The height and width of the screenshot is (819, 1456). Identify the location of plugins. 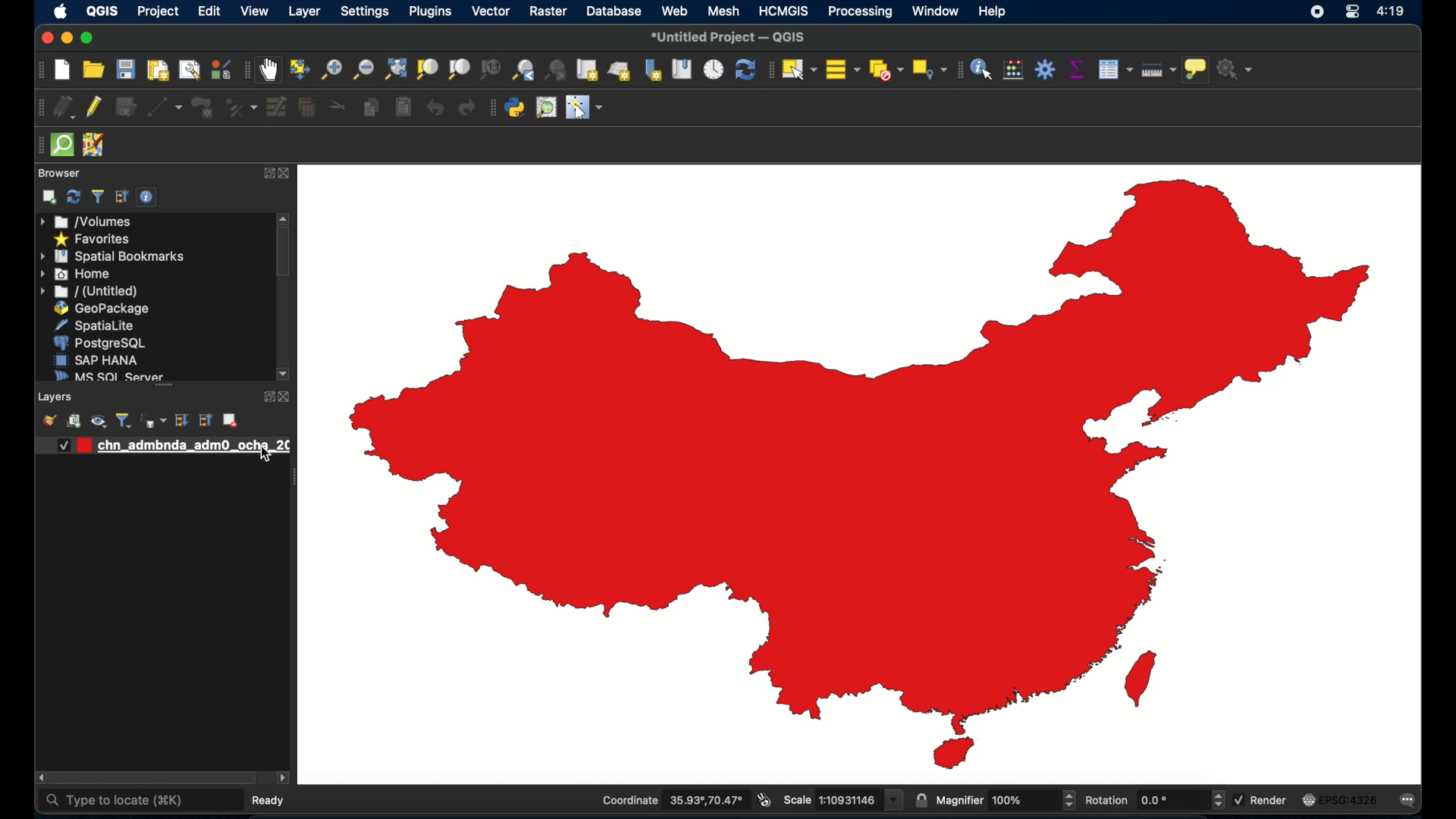
(430, 14).